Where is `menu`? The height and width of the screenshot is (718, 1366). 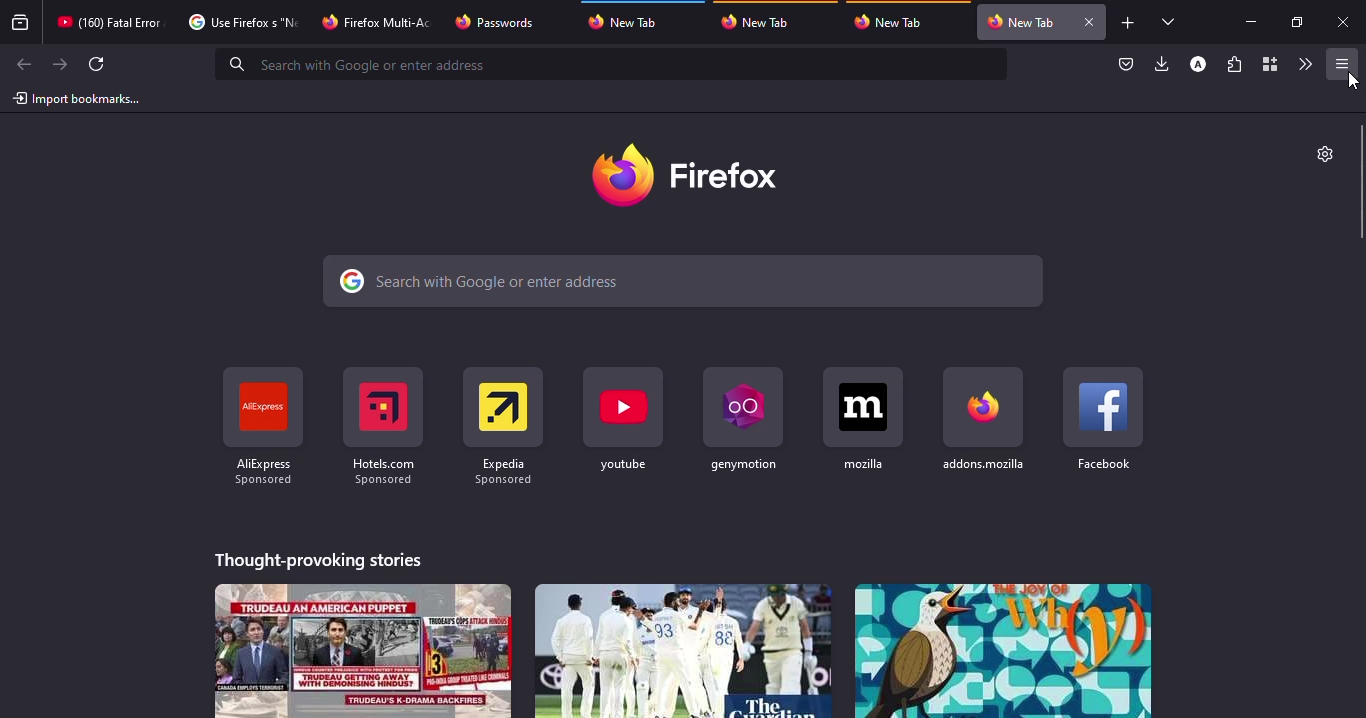 menu is located at coordinates (1338, 64).